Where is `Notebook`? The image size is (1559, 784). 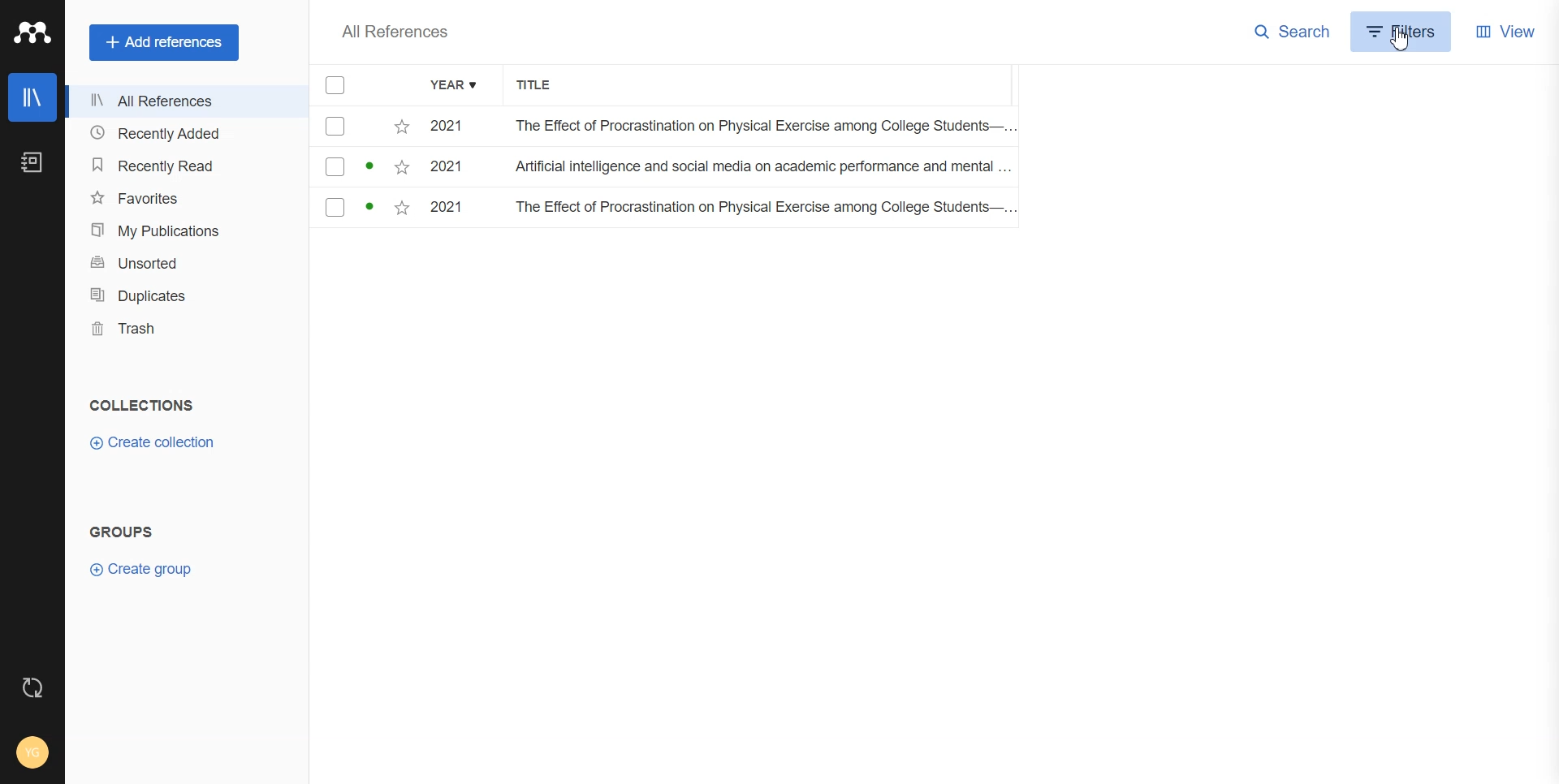
Notebook is located at coordinates (32, 163).